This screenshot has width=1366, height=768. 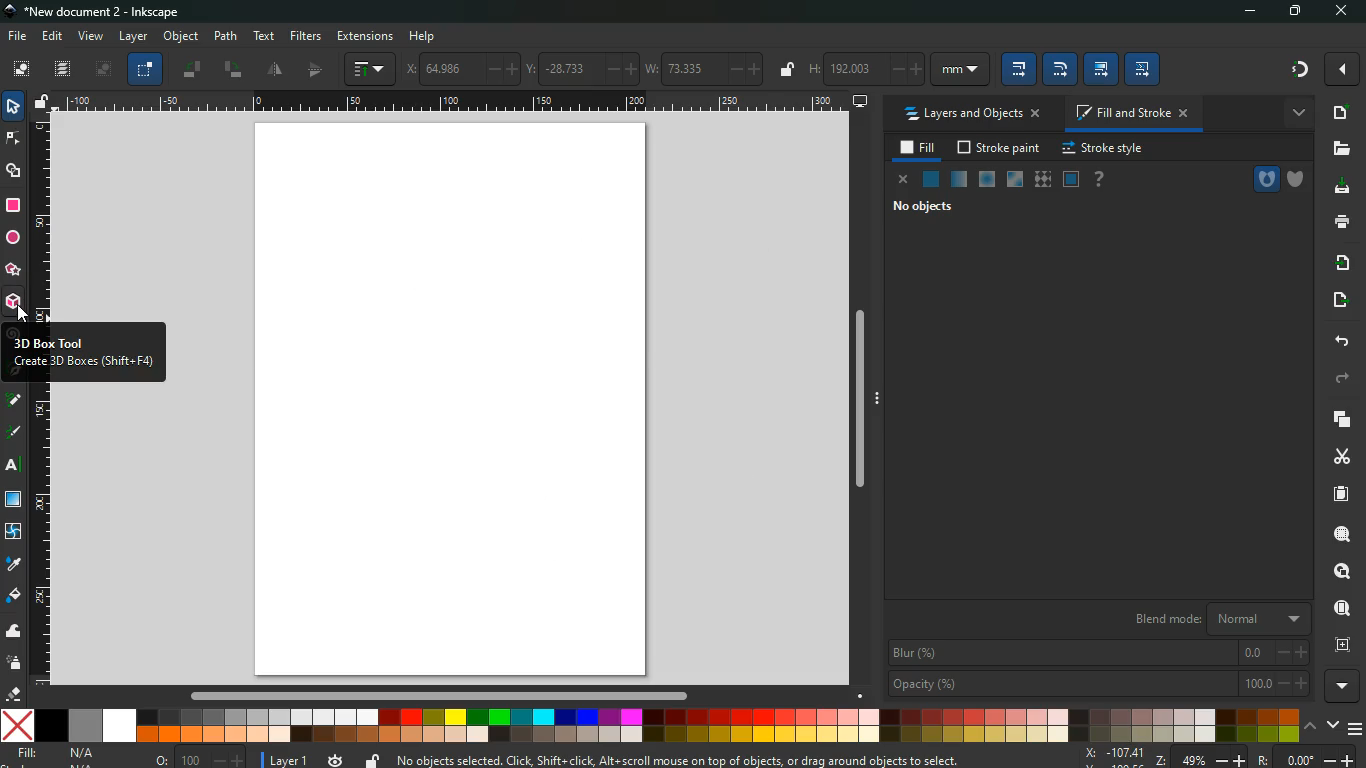 What do you see at coordinates (12, 206) in the screenshot?
I see `rectangle` at bounding box center [12, 206].